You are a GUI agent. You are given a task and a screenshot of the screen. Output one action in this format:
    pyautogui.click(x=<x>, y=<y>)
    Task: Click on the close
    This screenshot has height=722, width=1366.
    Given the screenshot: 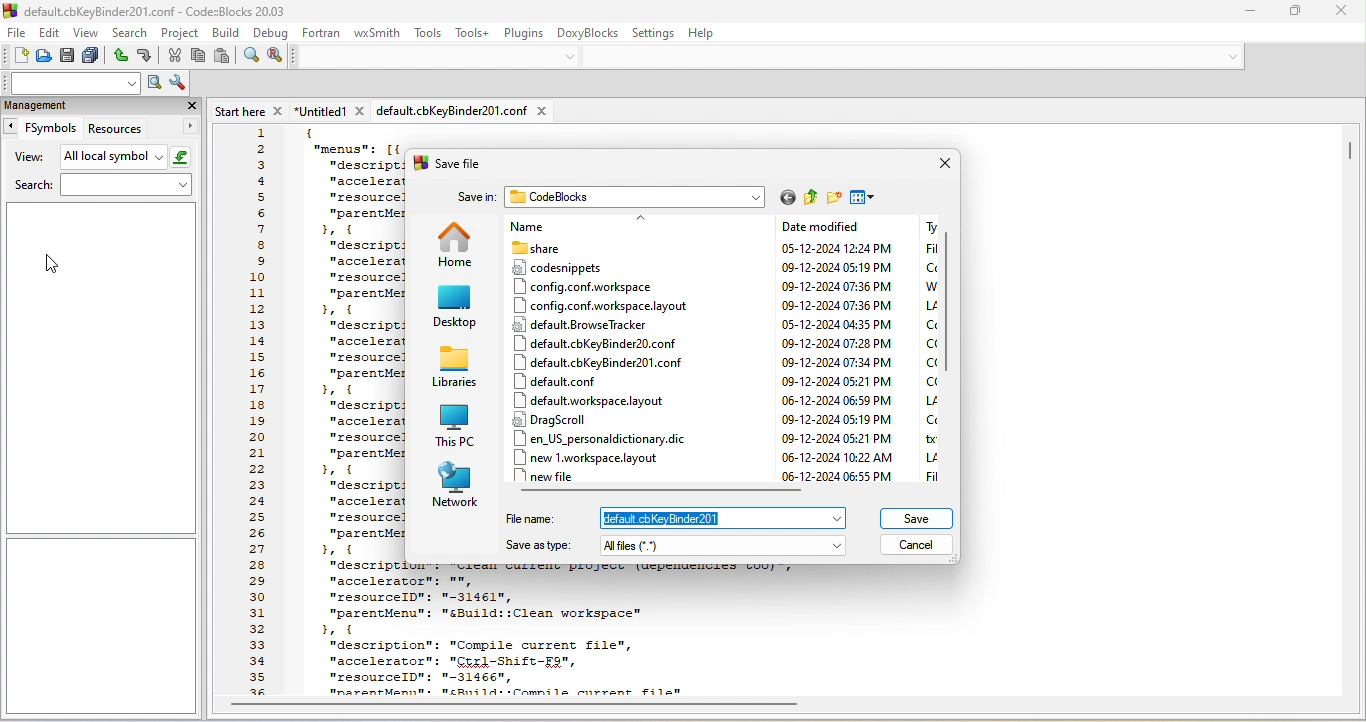 What is the action you would take?
    pyautogui.click(x=1340, y=13)
    